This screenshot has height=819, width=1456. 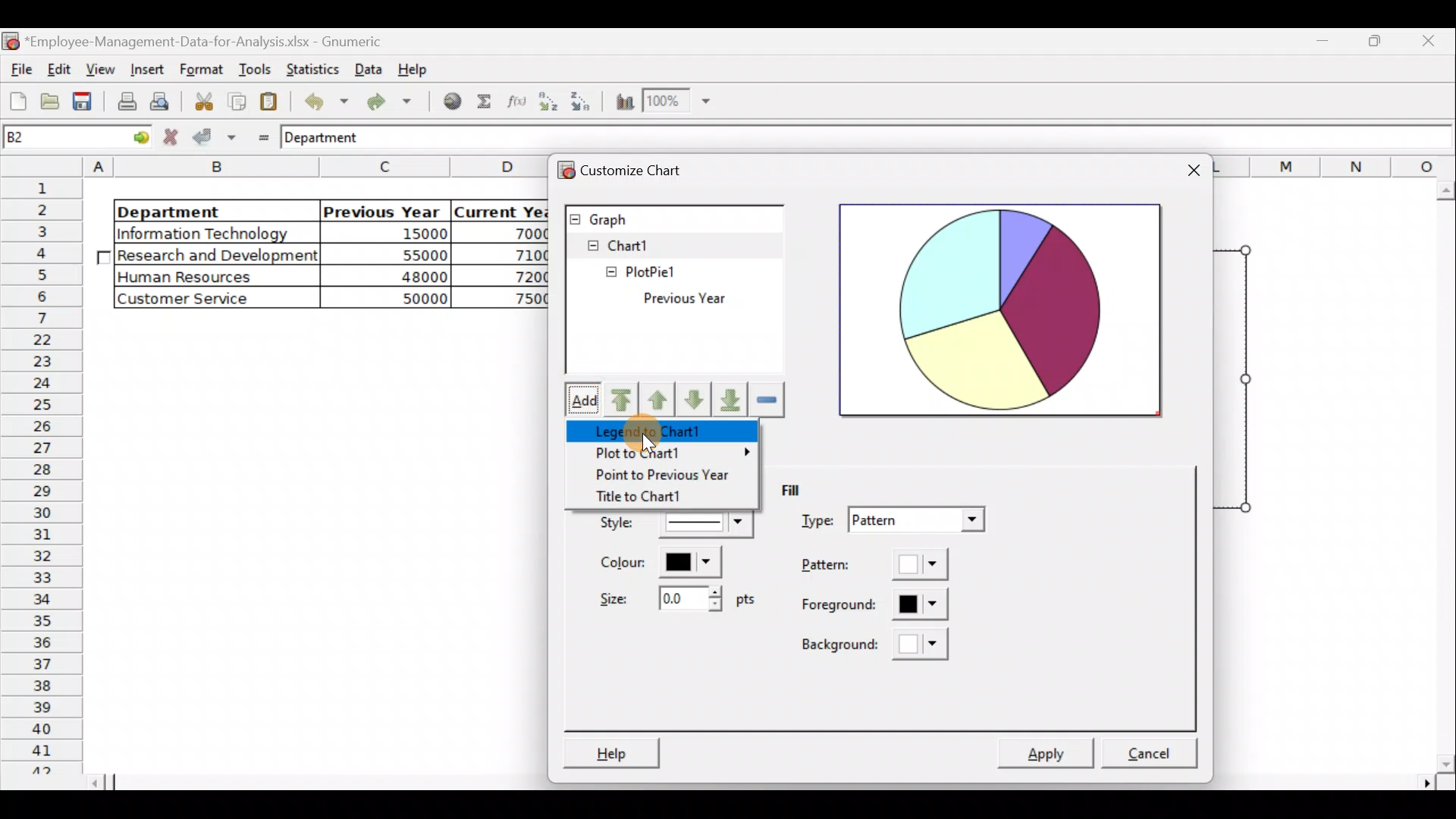 I want to click on Formula bar, so click(x=926, y=141).